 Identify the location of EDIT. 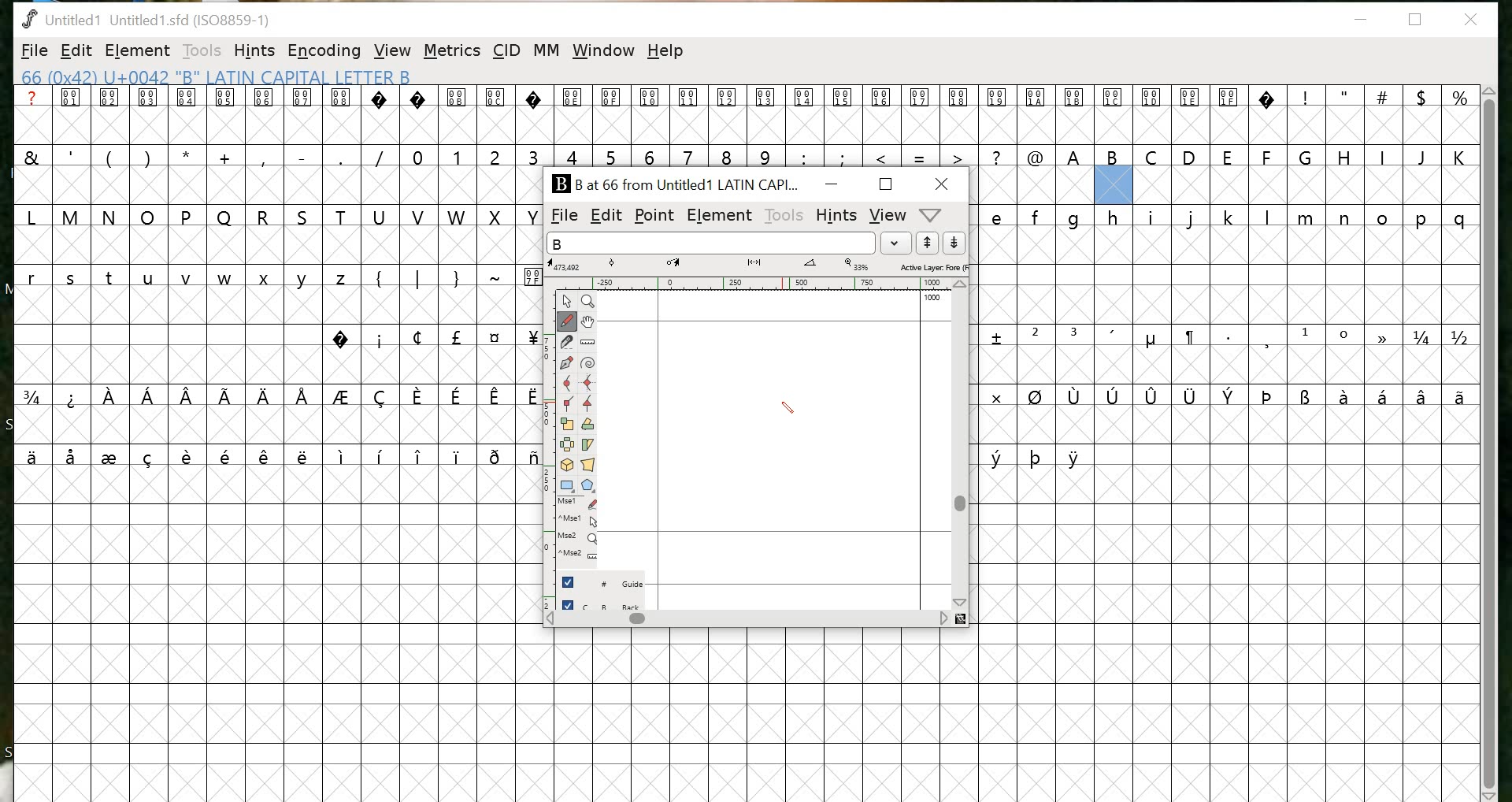
(605, 217).